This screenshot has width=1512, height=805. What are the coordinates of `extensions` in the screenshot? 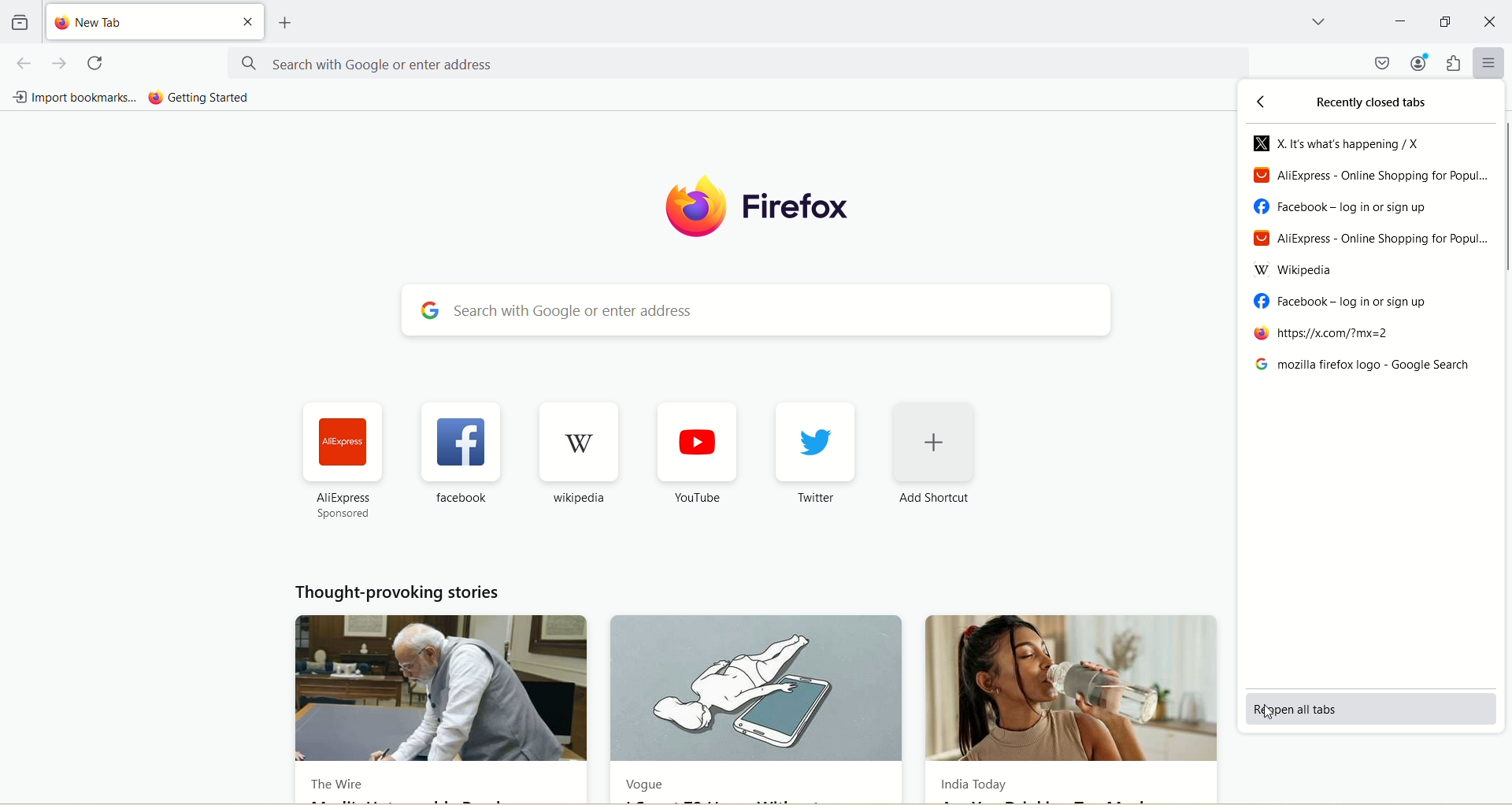 It's located at (1456, 62).